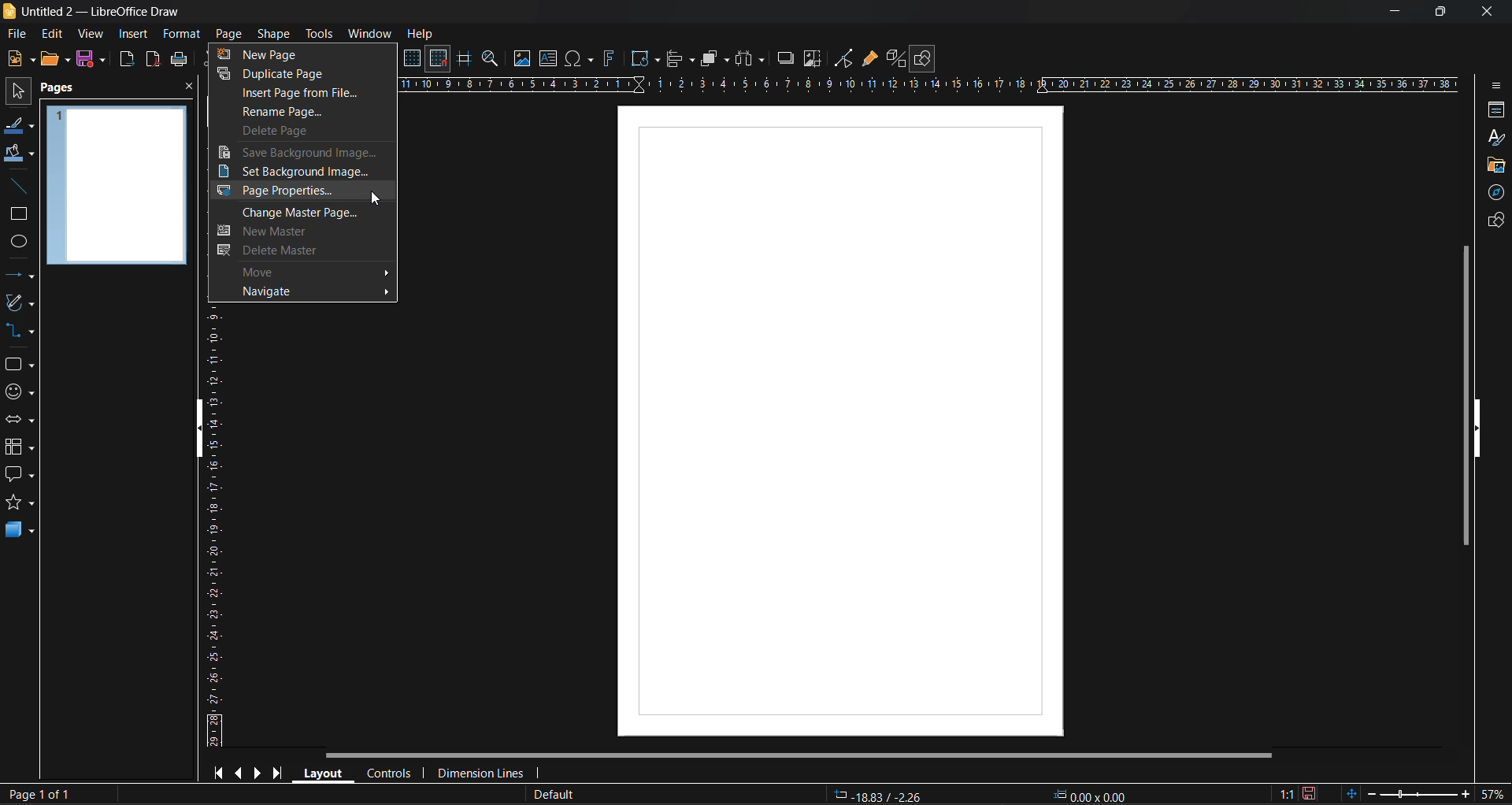  What do you see at coordinates (801, 755) in the screenshot?
I see `horizontal scroll bar` at bounding box center [801, 755].